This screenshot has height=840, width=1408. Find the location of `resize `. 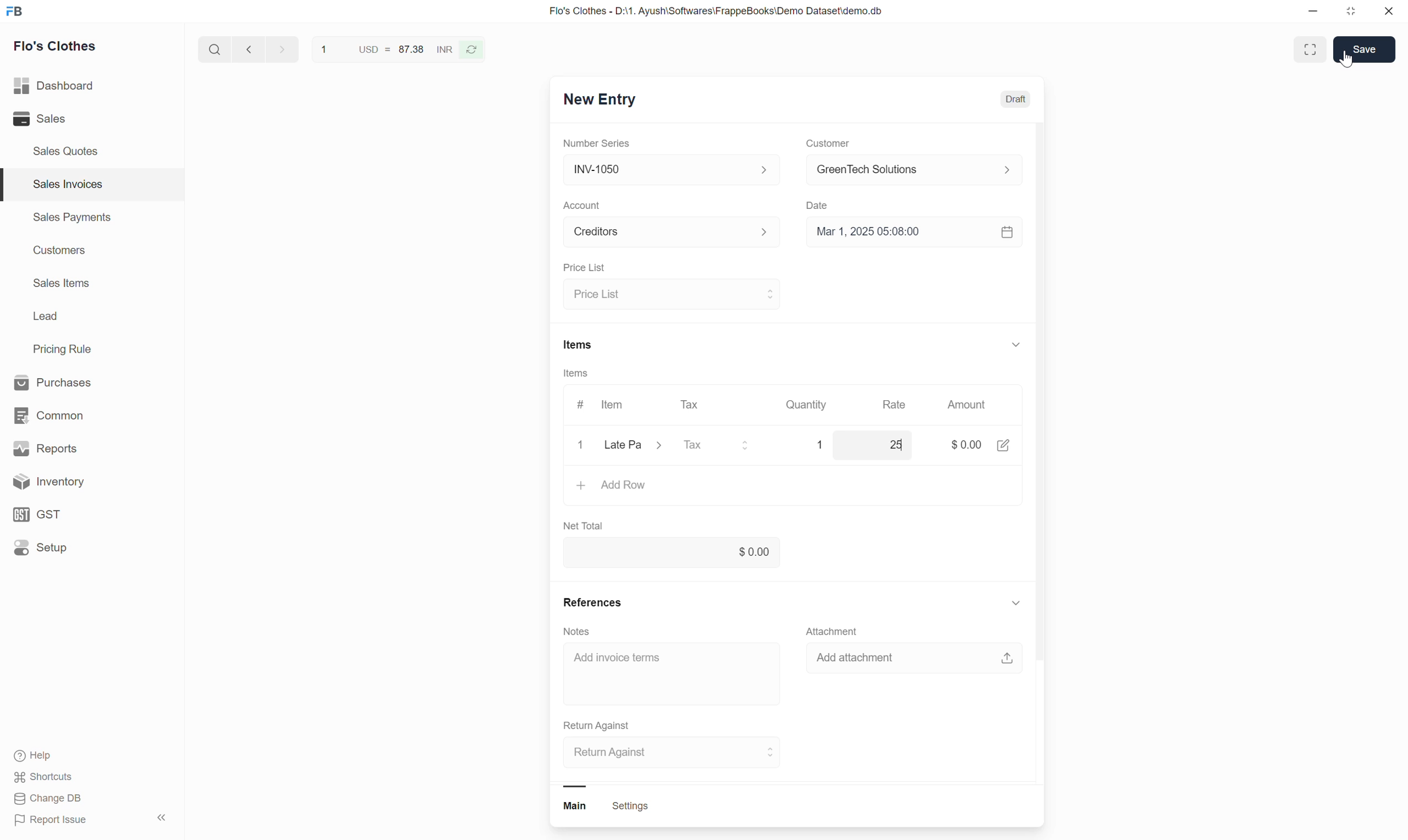

resize  is located at coordinates (1355, 14).